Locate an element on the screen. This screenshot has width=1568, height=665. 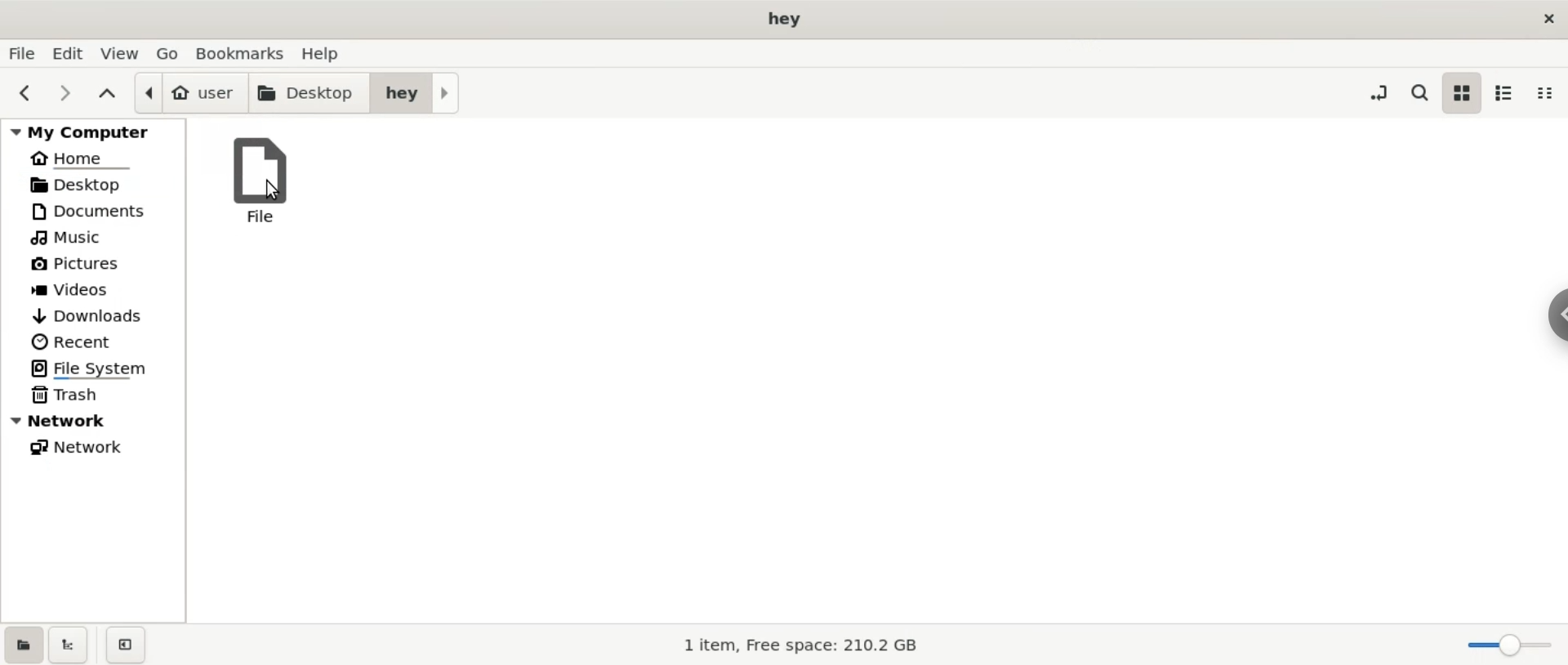
bookmarks is located at coordinates (240, 53).